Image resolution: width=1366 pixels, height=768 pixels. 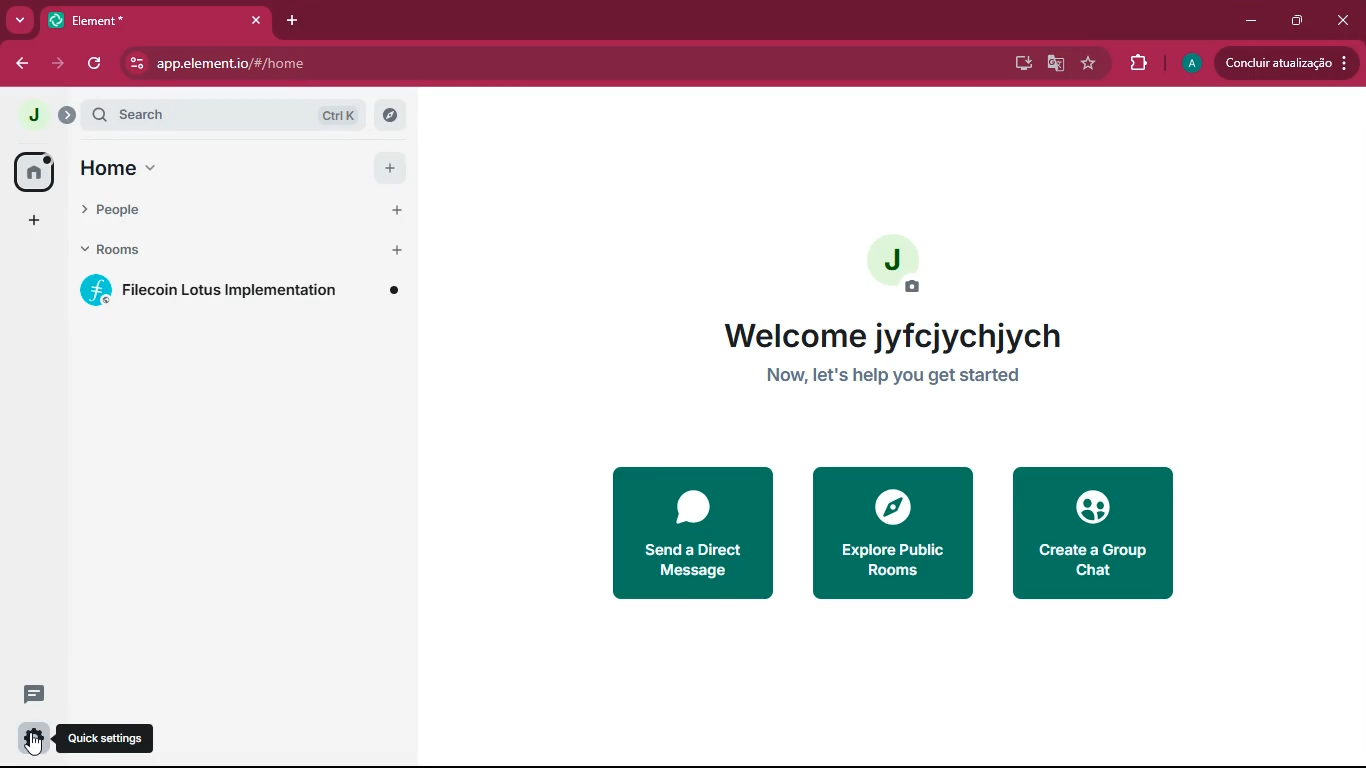 What do you see at coordinates (1087, 63) in the screenshot?
I see `favourite` at bounding box center [1087, 63].